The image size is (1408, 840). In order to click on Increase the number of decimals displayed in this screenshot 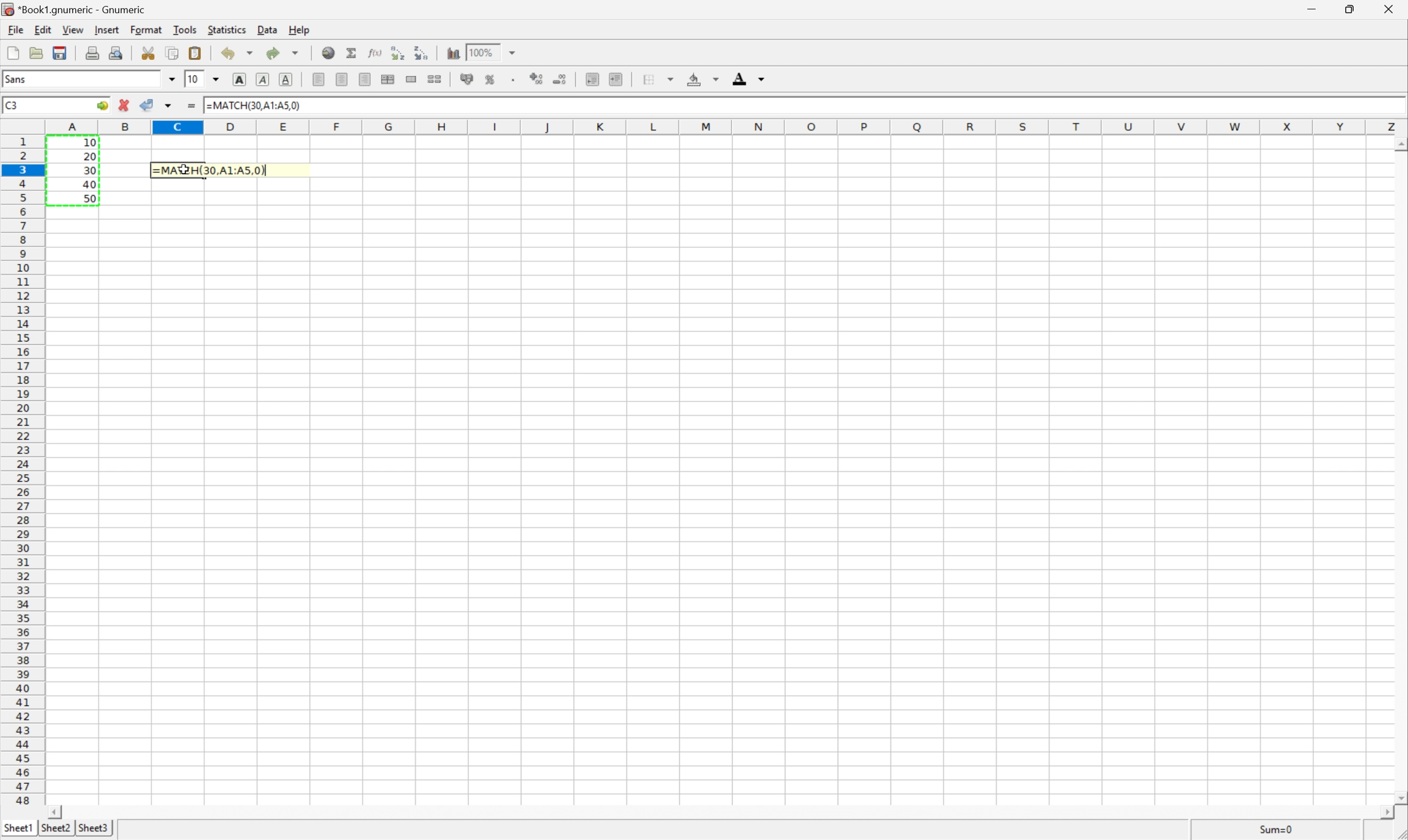, I will do `click(538, 78)`.